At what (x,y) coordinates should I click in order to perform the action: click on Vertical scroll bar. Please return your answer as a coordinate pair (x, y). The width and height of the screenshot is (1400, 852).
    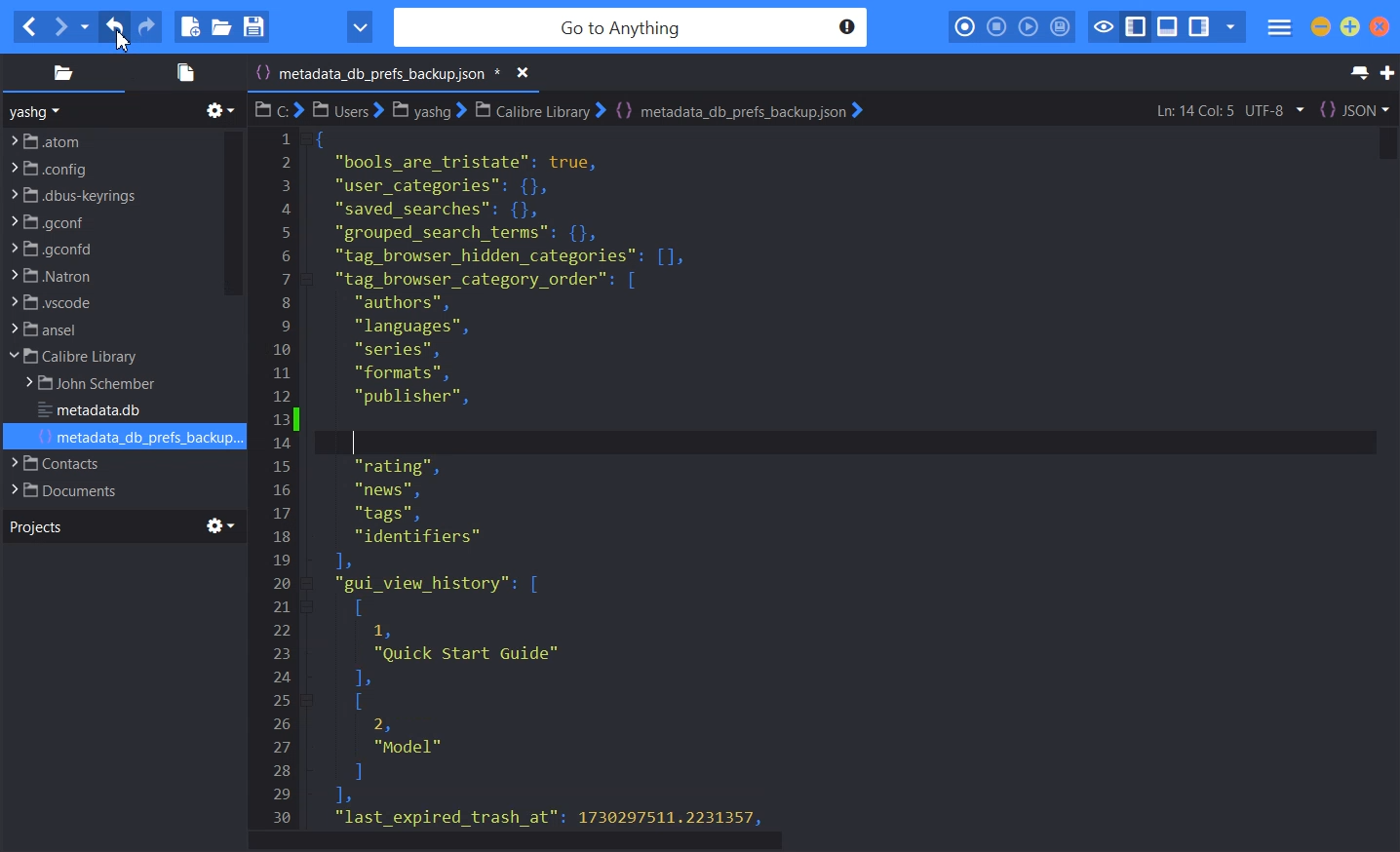
    Looking at the image, I should click on (232, 213).